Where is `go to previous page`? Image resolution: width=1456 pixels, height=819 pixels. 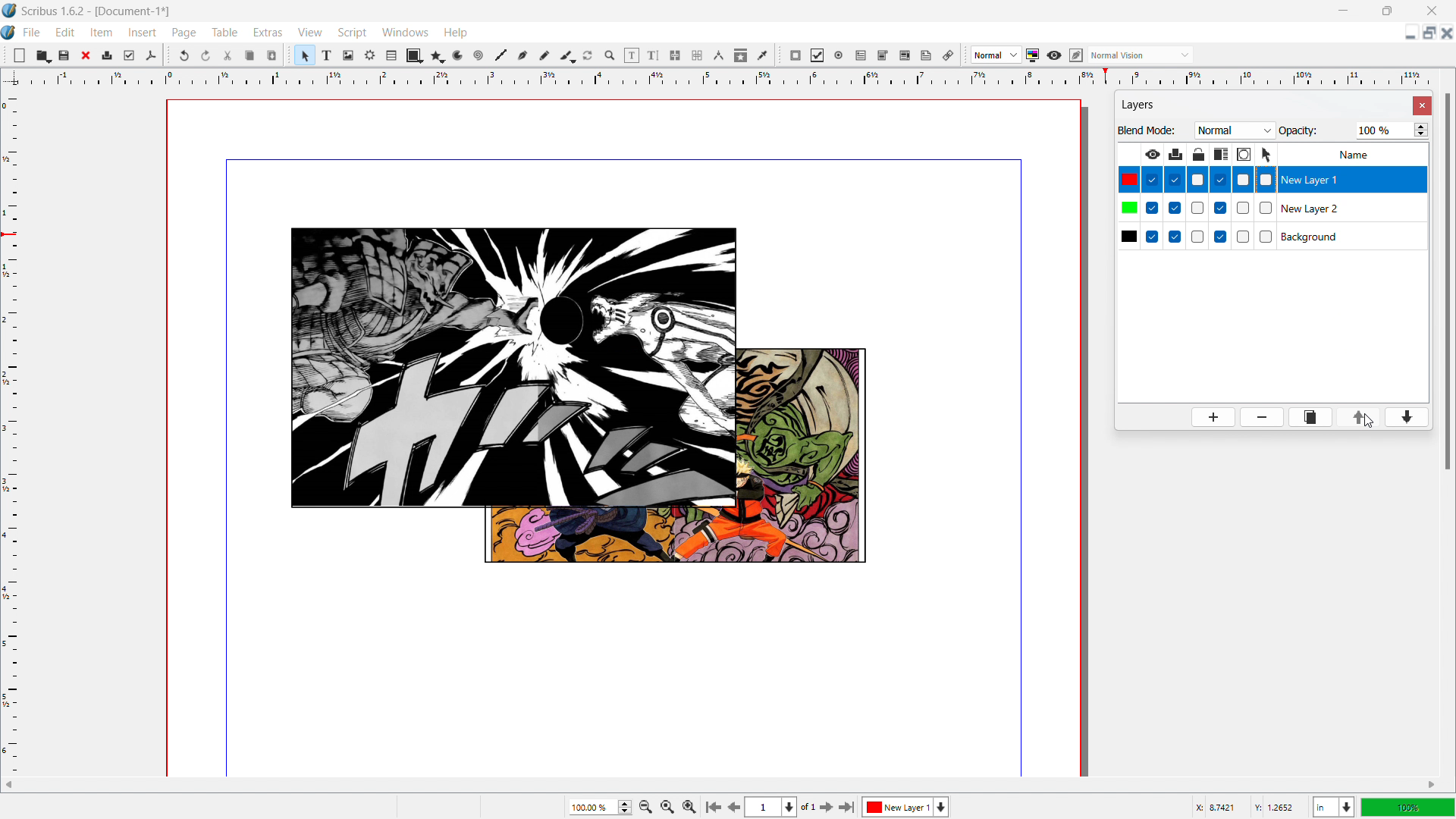 go to previous page is located at coordinates (734, 805).